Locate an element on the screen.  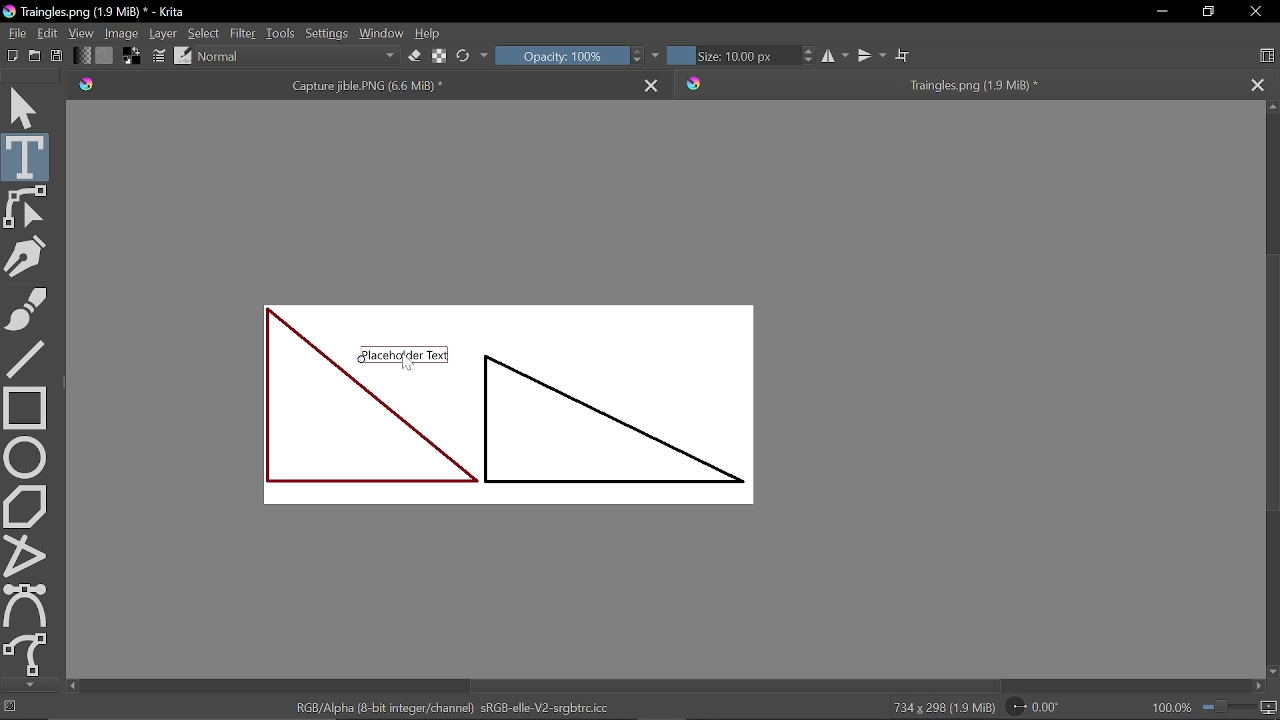
polyline tool is located at coordinates (27, 554).